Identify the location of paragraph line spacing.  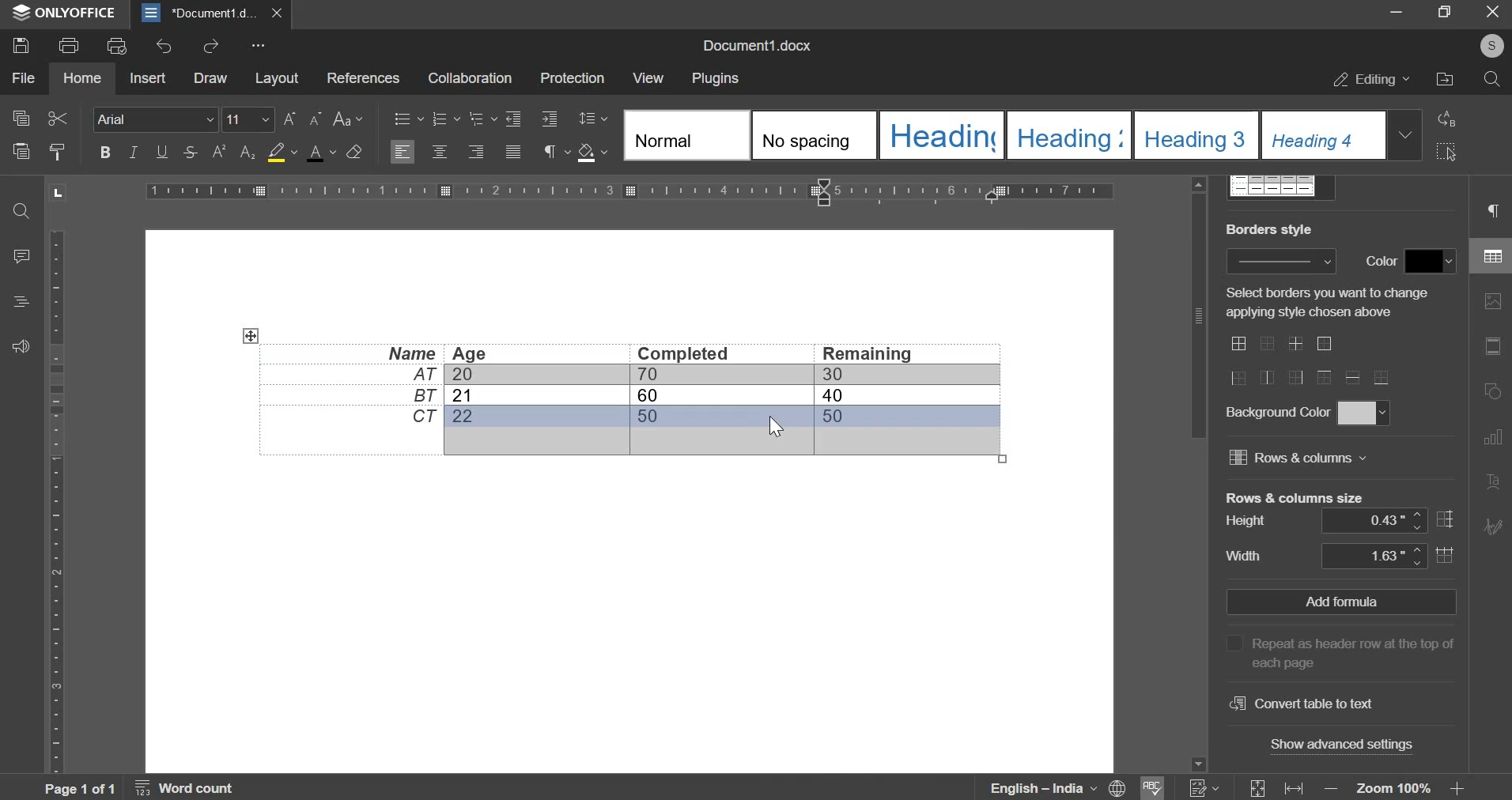
(595, 118).